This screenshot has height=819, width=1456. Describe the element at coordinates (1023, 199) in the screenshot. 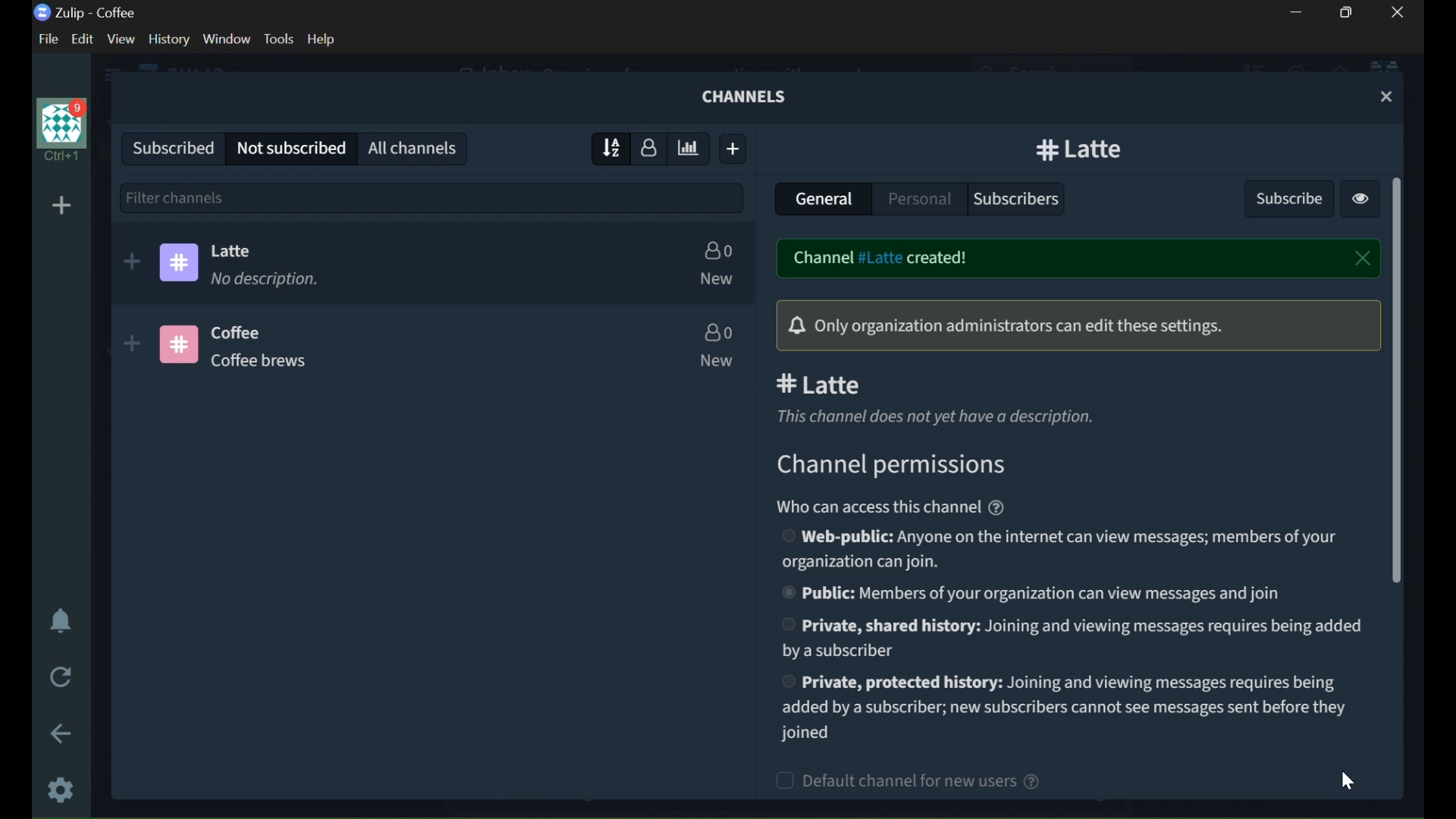

I see `SUBSCRIBERS` at that location.